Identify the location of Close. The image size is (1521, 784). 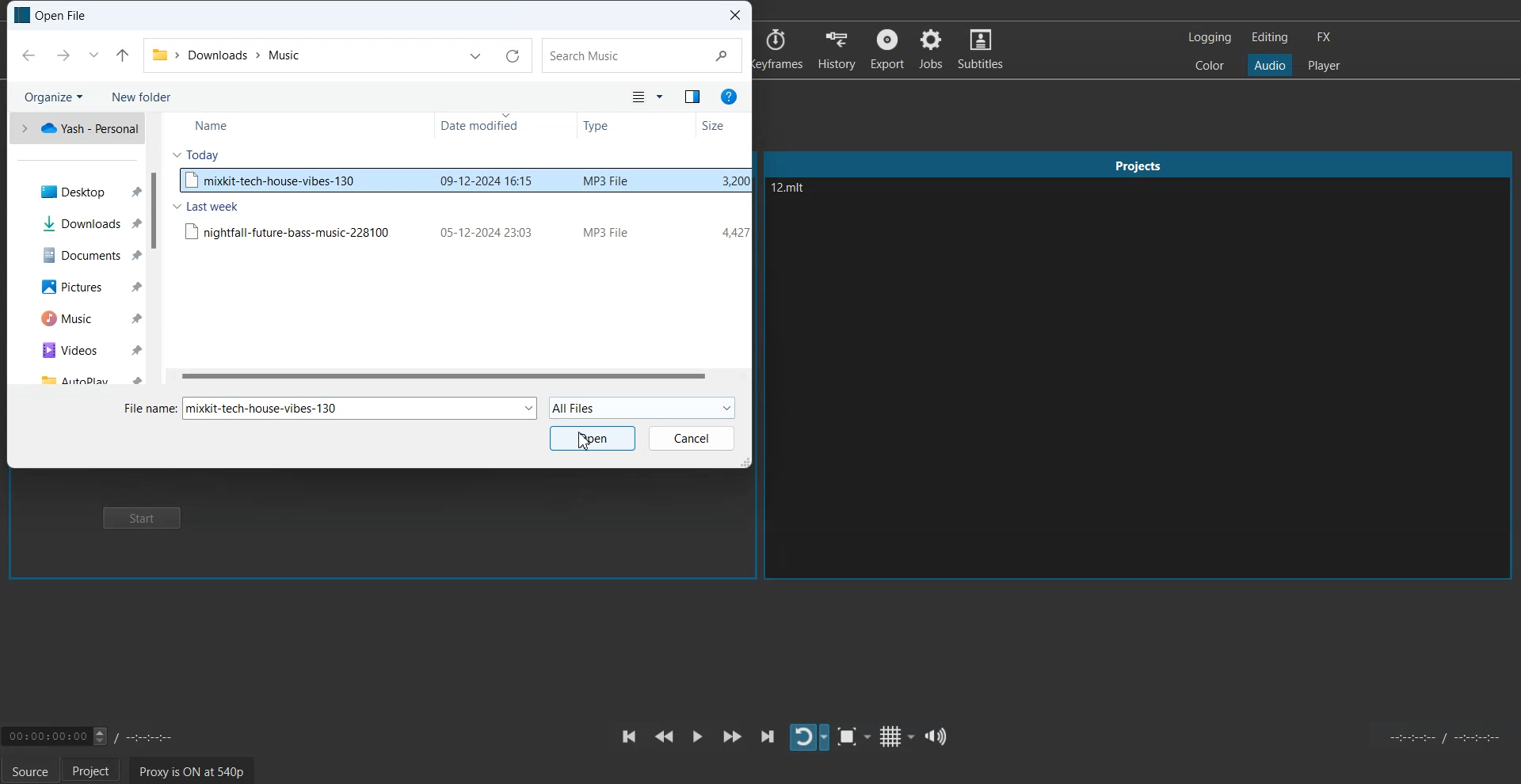
(735, 14).